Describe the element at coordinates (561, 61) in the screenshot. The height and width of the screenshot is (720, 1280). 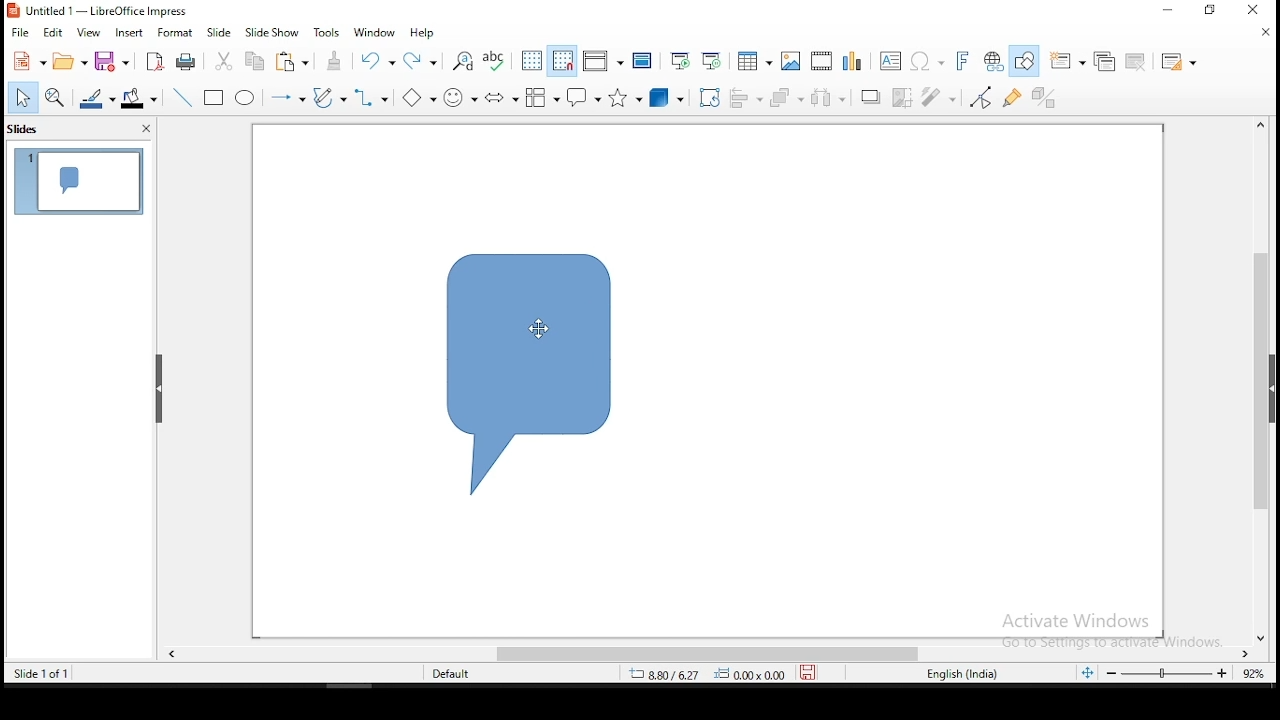
I see `snap to grid` at that location.